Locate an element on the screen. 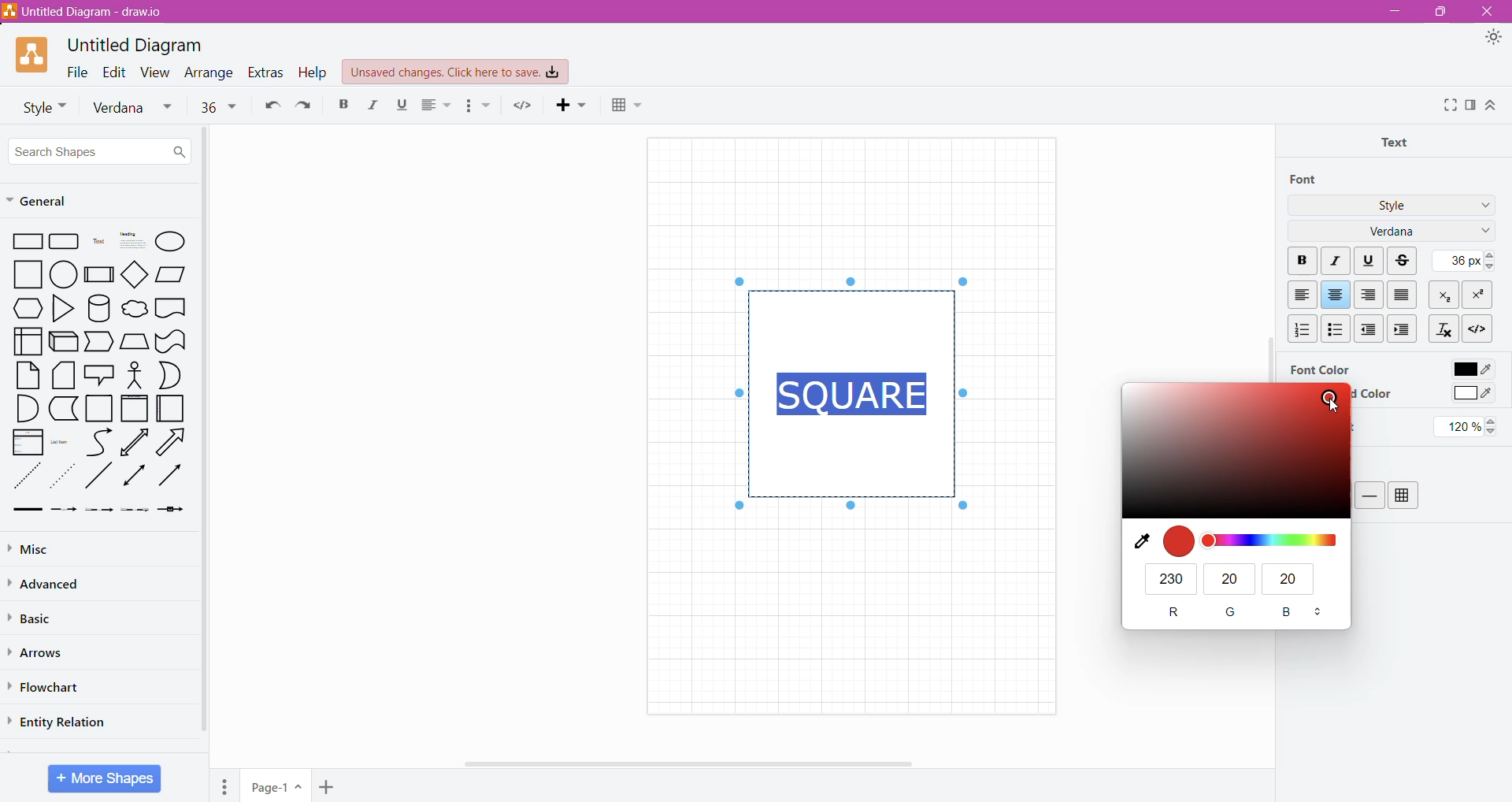 Image resolution: width=1512 pixels, height=802 pixels. Stacked Papers  is located at coordinates (62, 375).